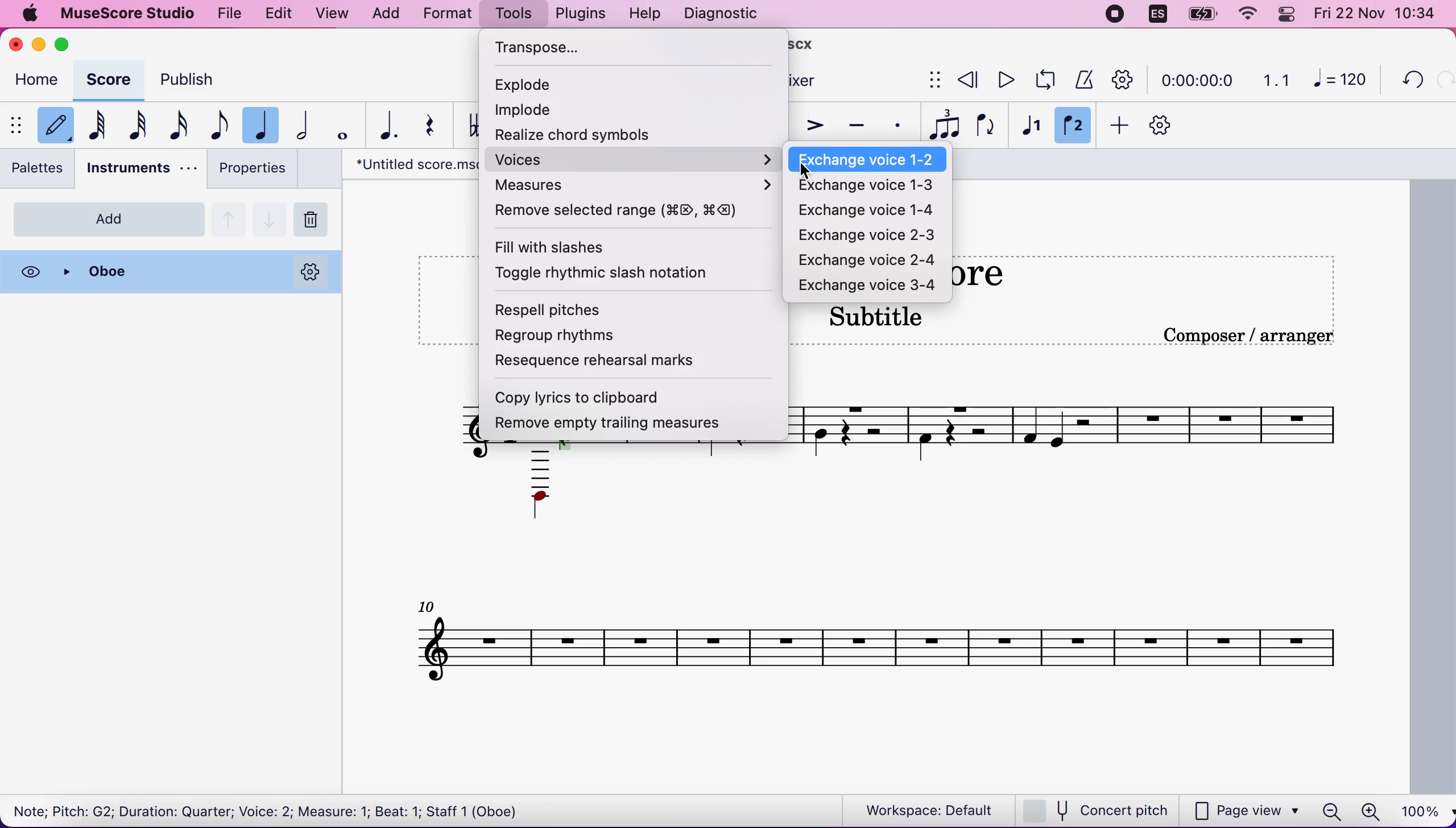  What do you see at coordinates (67, 43) in the screenshot?
I see `maximize` at bounding box center [67, 43].